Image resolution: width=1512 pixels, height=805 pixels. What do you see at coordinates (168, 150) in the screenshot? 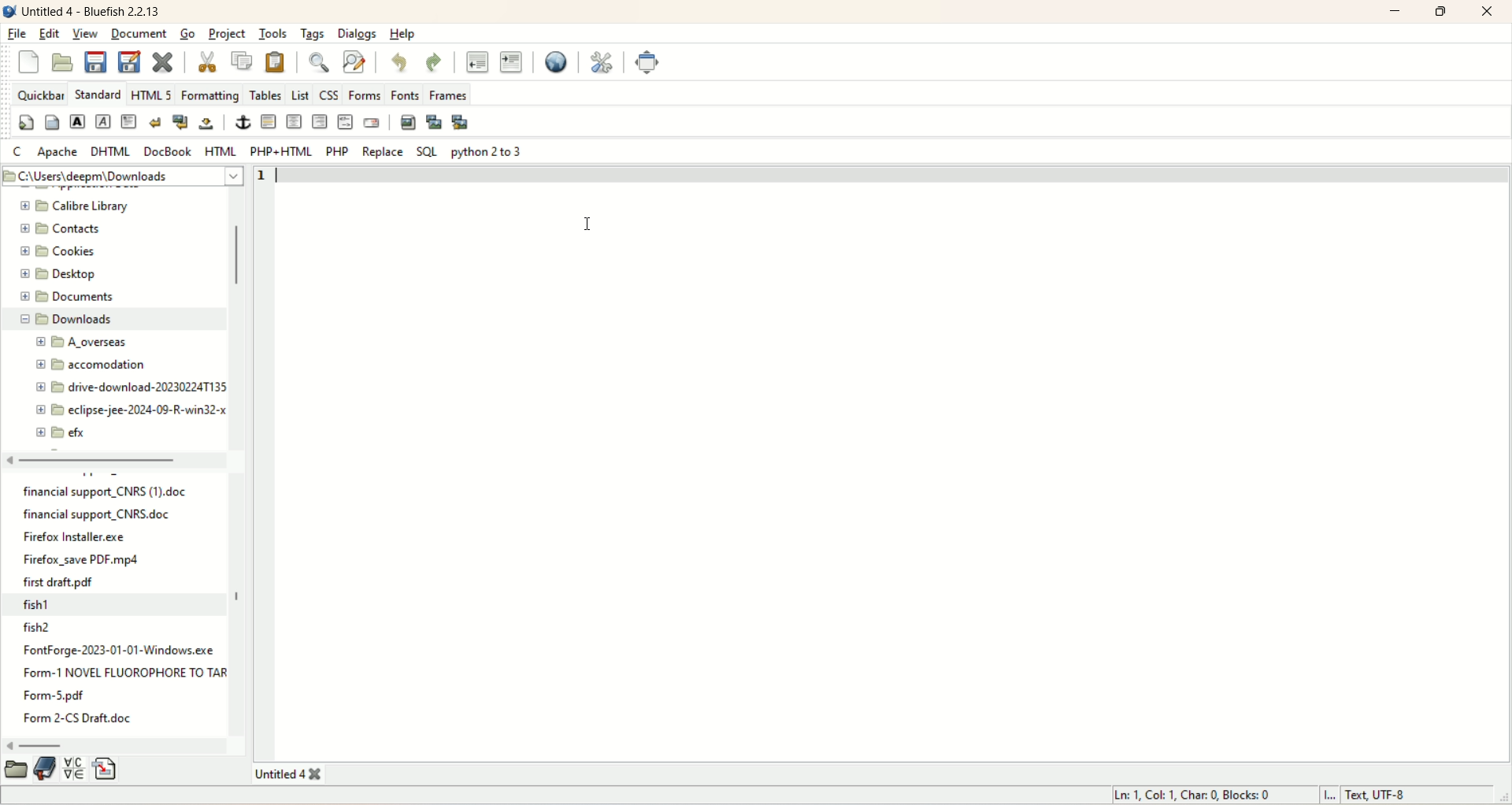
I see `DocBook` at bounding box center [168, 150].